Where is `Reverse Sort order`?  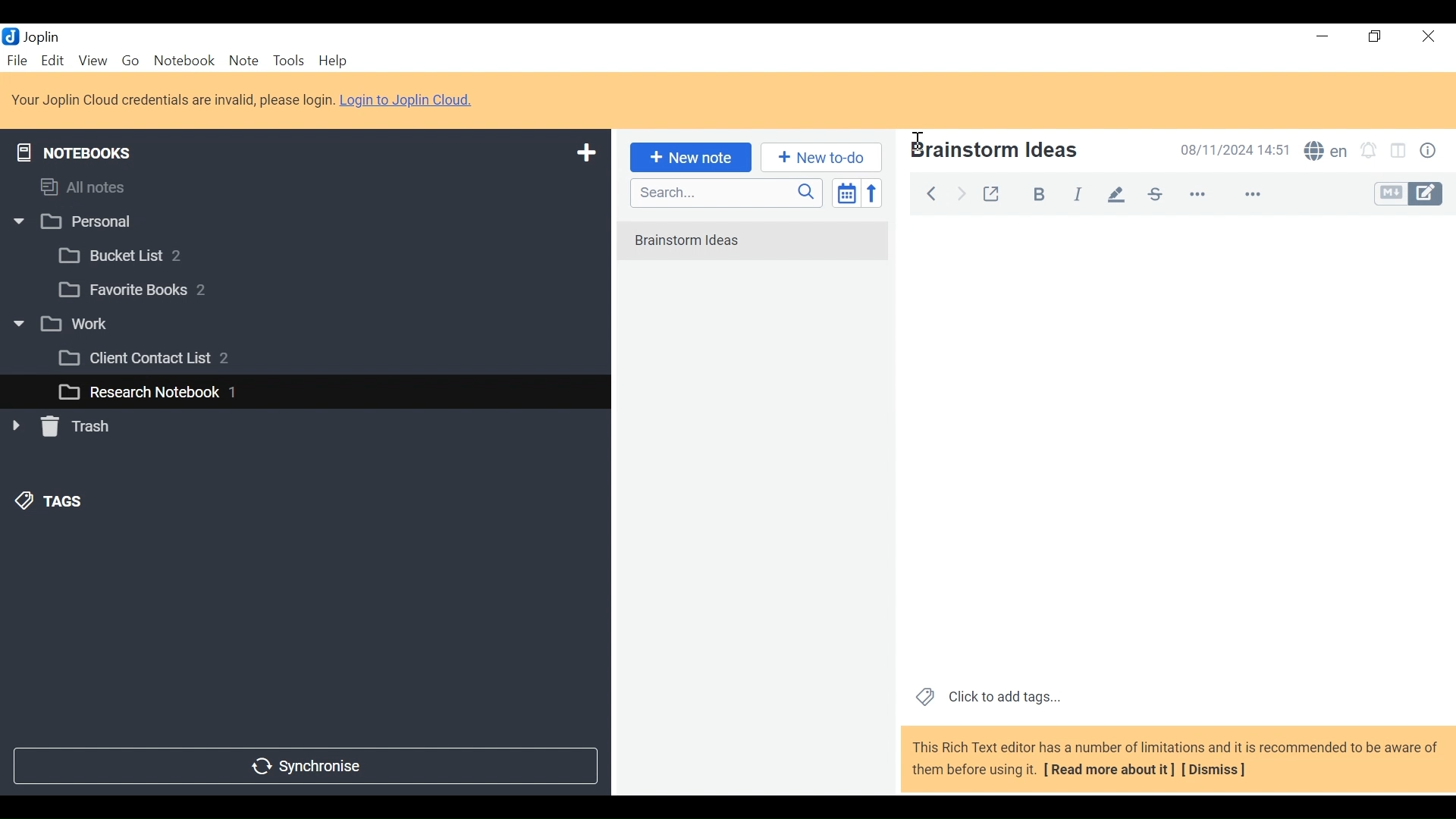
Reverse Sort order is located at coordinates (875, 193).